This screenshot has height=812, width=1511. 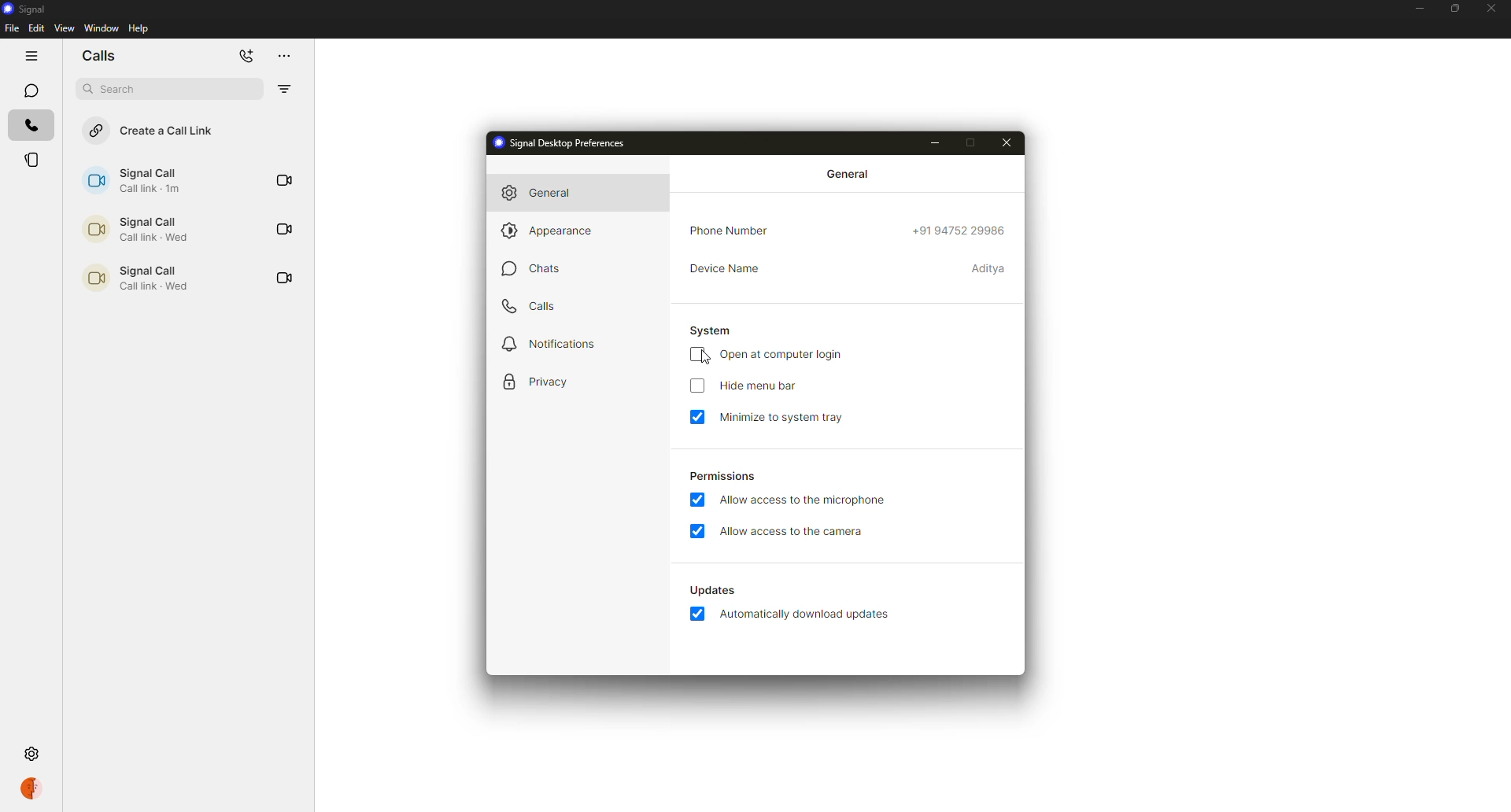 What do you see at coordinates (134, 180) in the screenshot?
I see `call link` at bounding box center [134, 180].